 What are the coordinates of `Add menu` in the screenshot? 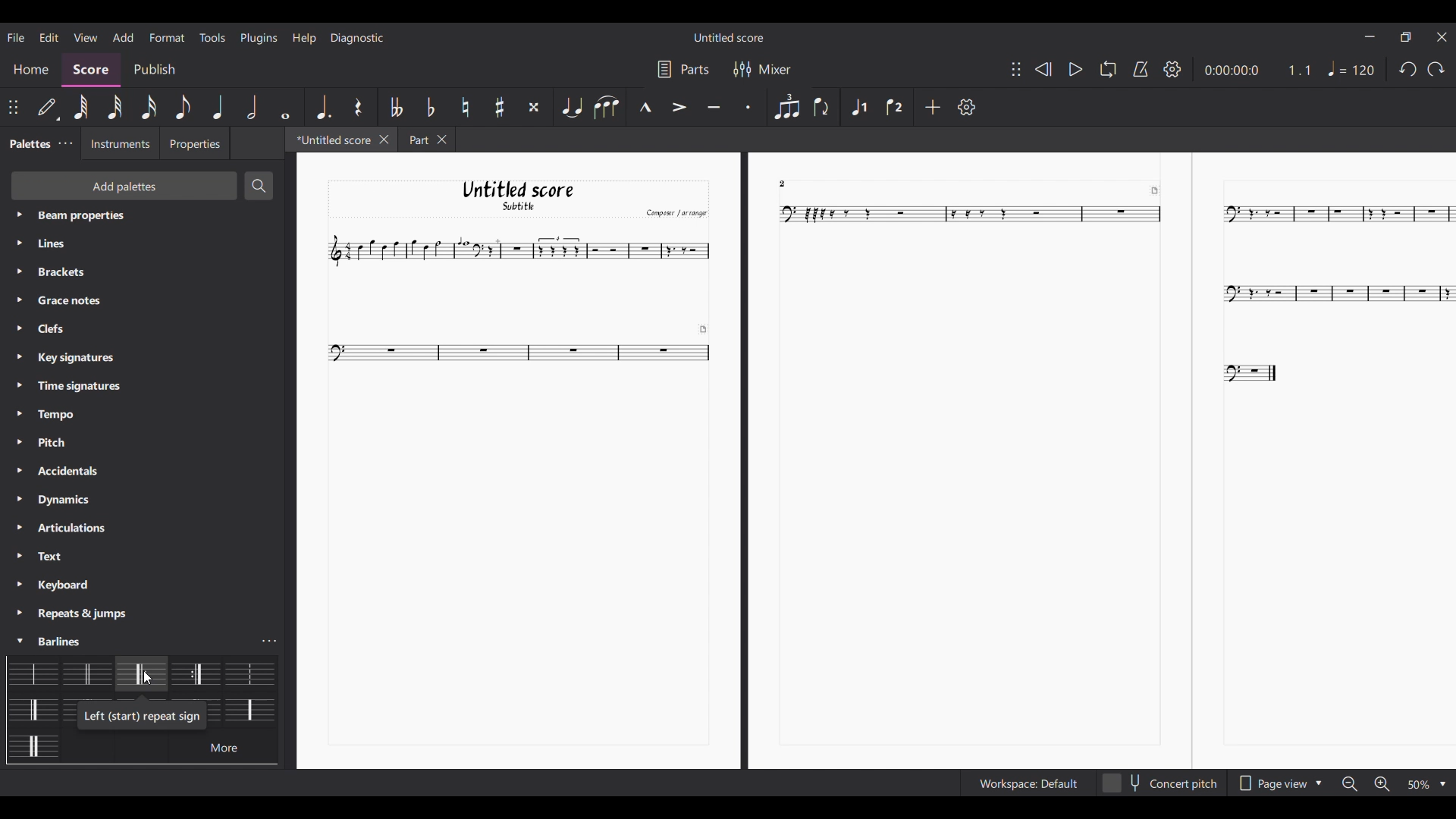 It's located at (123, 37).